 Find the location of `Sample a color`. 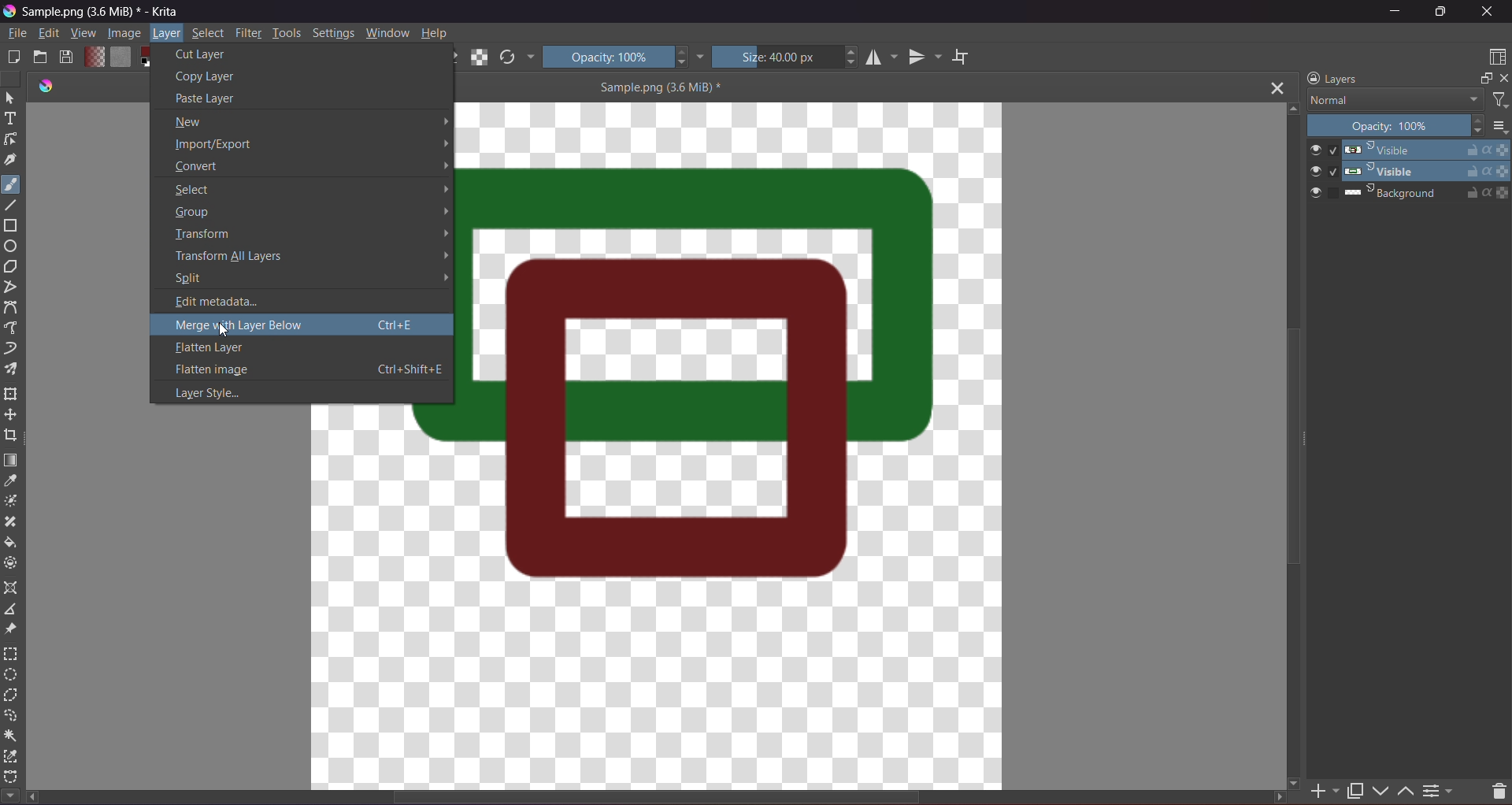

Sample a color is located at coordinates (10, 482).